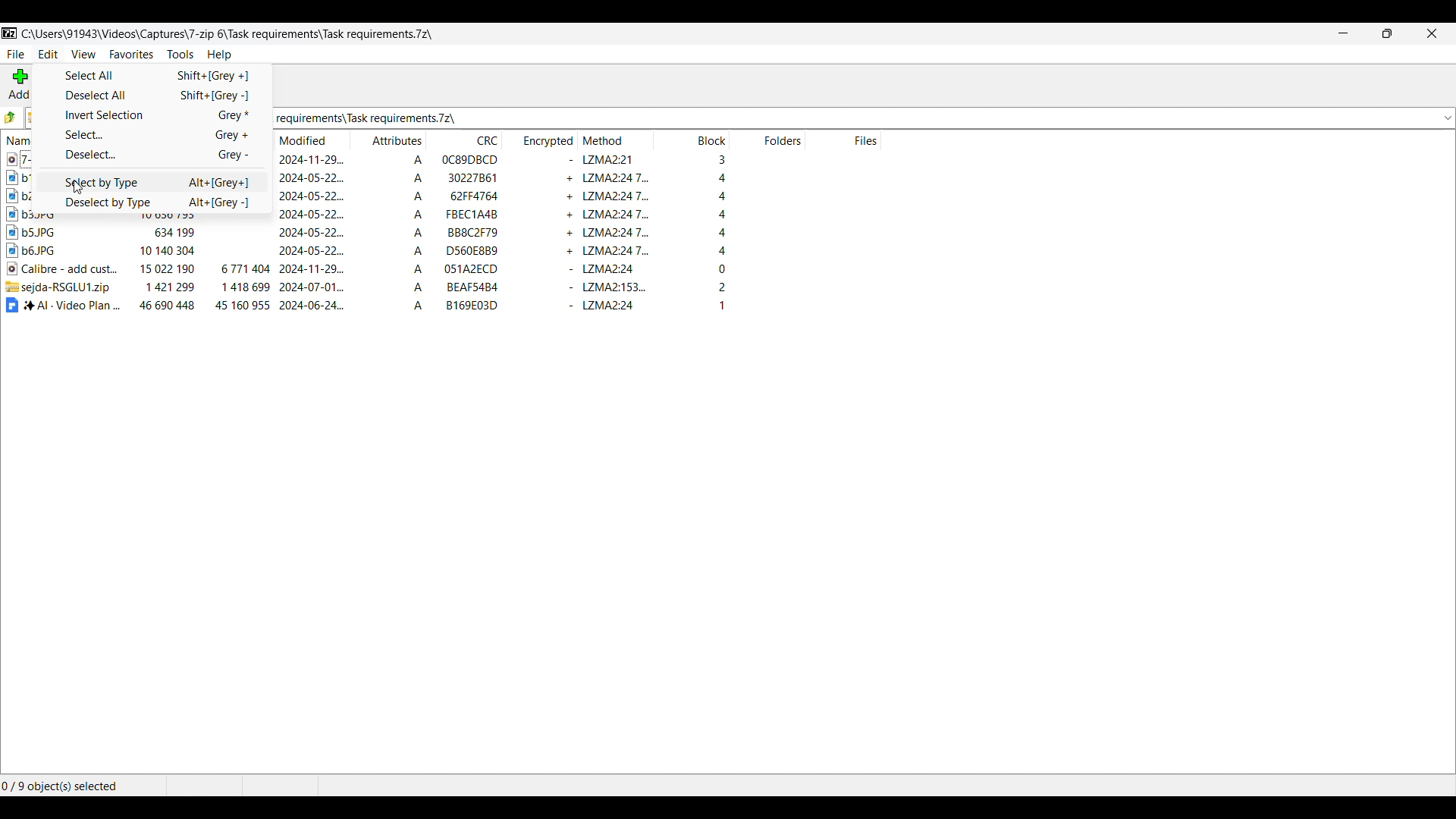 This screenshot has width=1456, height=819. What do you see at coordinates (617, 235) in the screenshot?
I see `encryption method` at bounding box center [617, 235].